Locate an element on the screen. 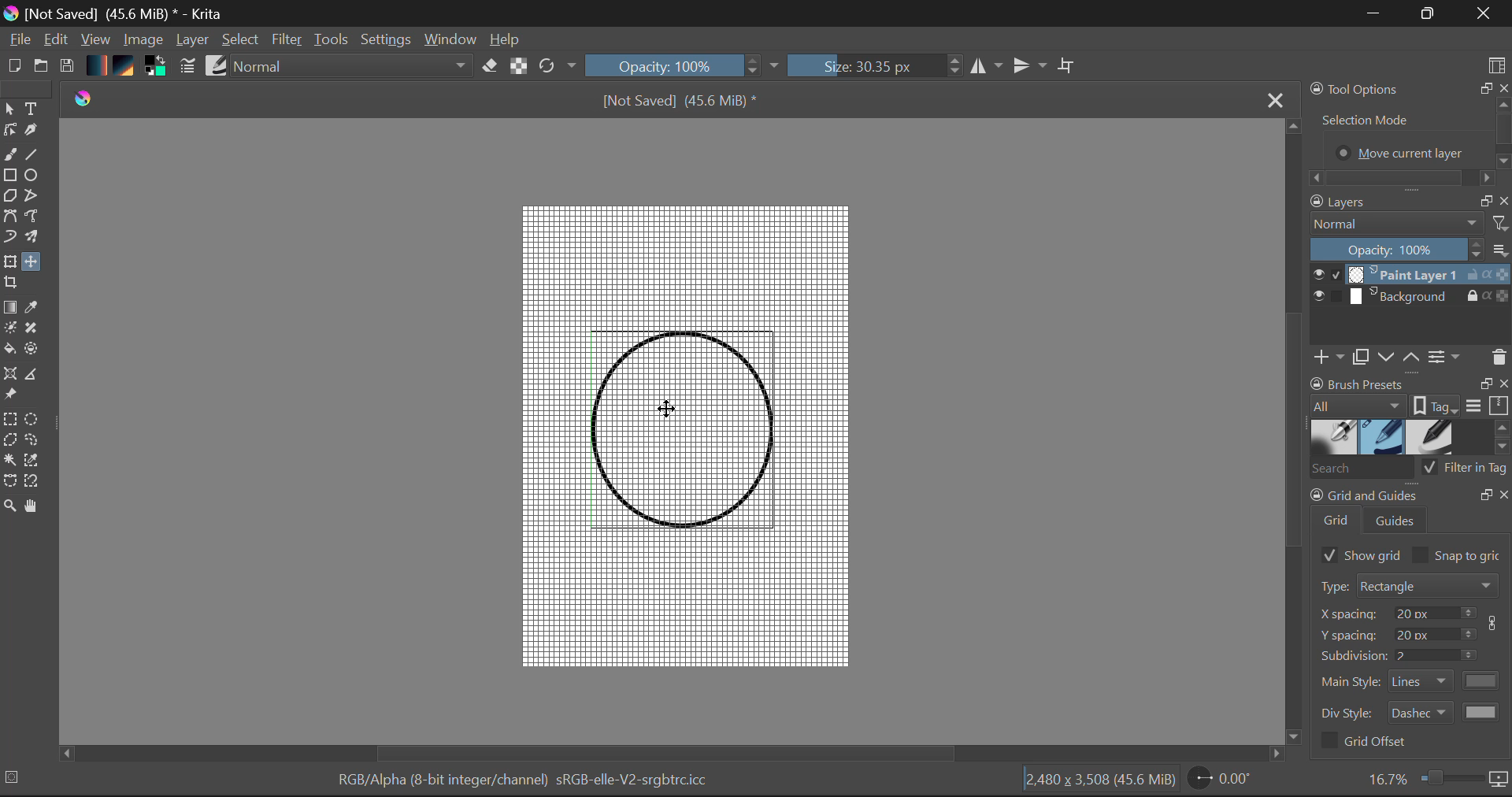 The height and width of the screenshot is (797, 1512). Enclose and Fill is located at coordinates (36, 352).